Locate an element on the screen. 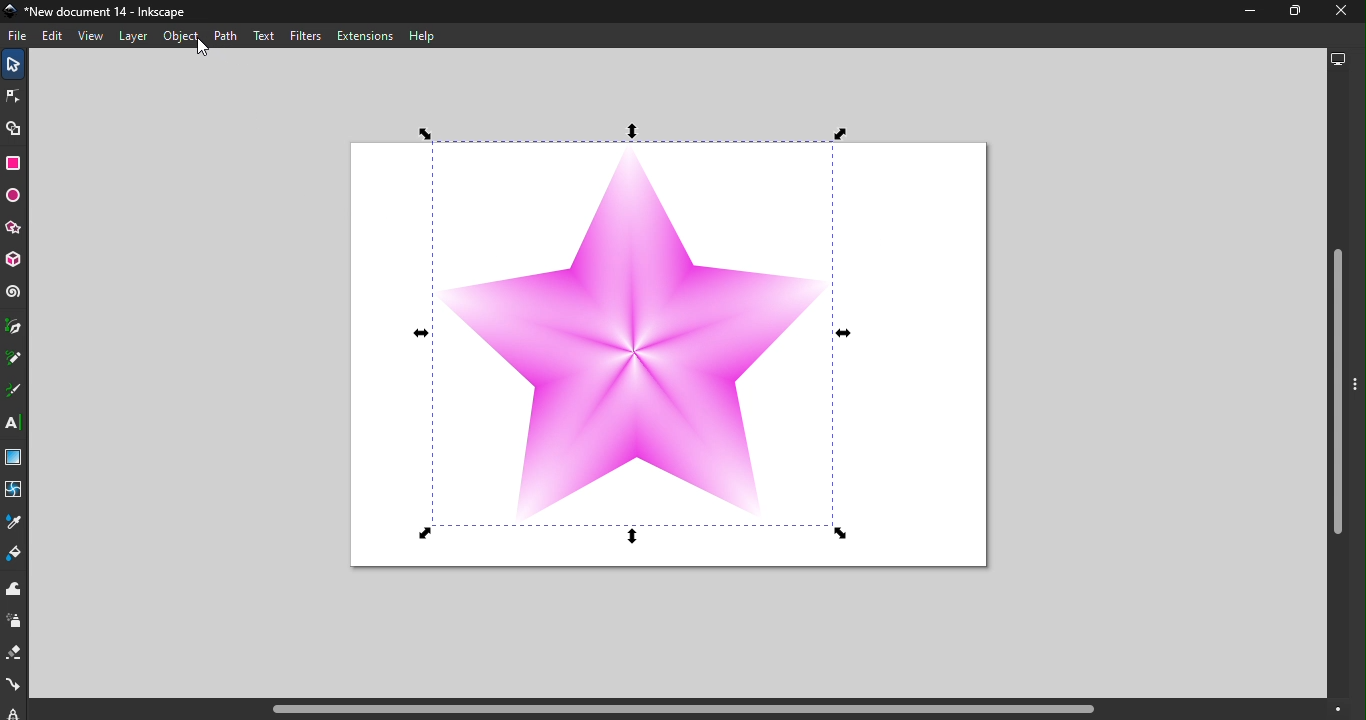  Ellipse/Arc tool is located at coordinates (15, 199).